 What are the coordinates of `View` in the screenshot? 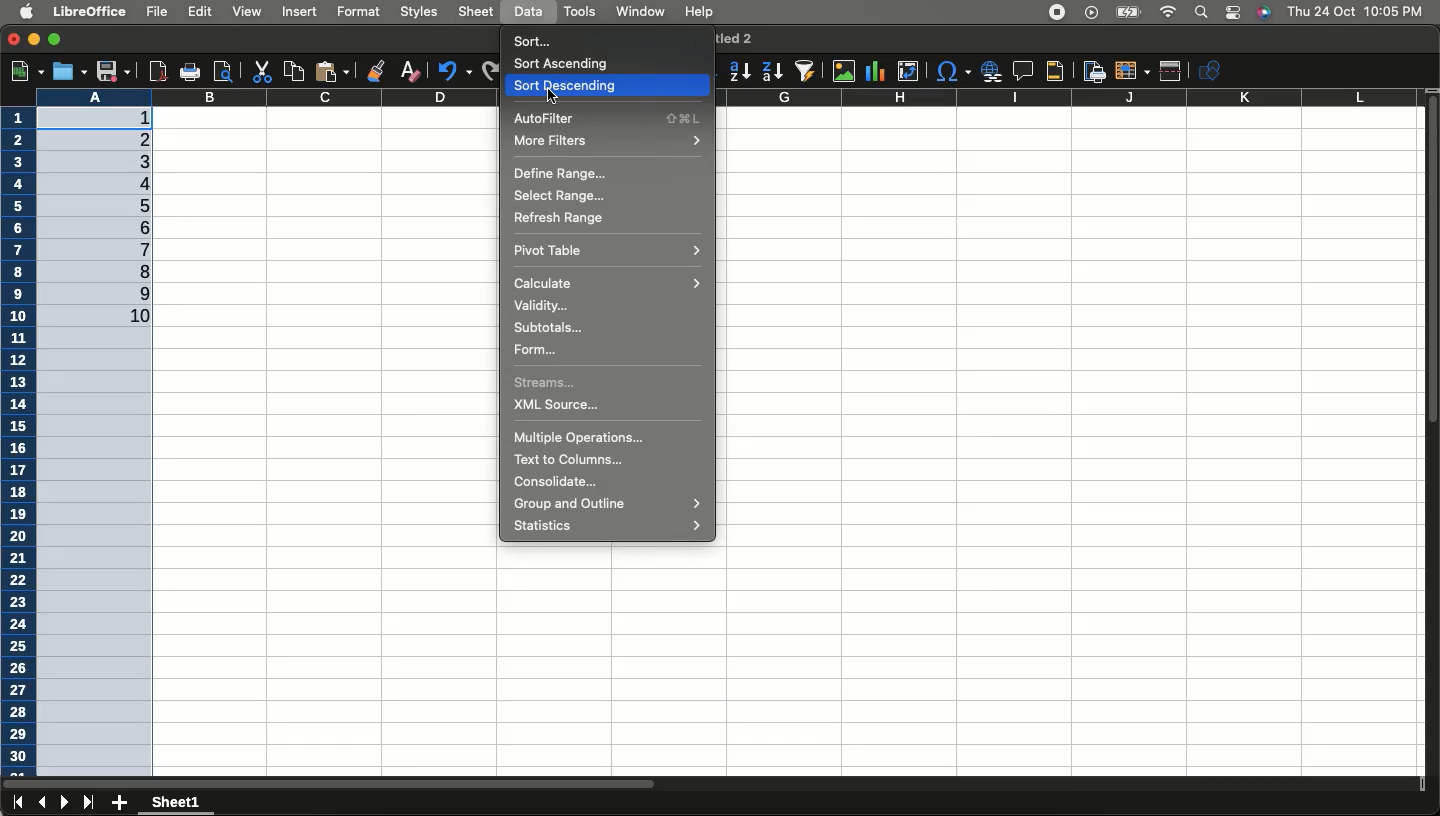 It's located at (247, 11).